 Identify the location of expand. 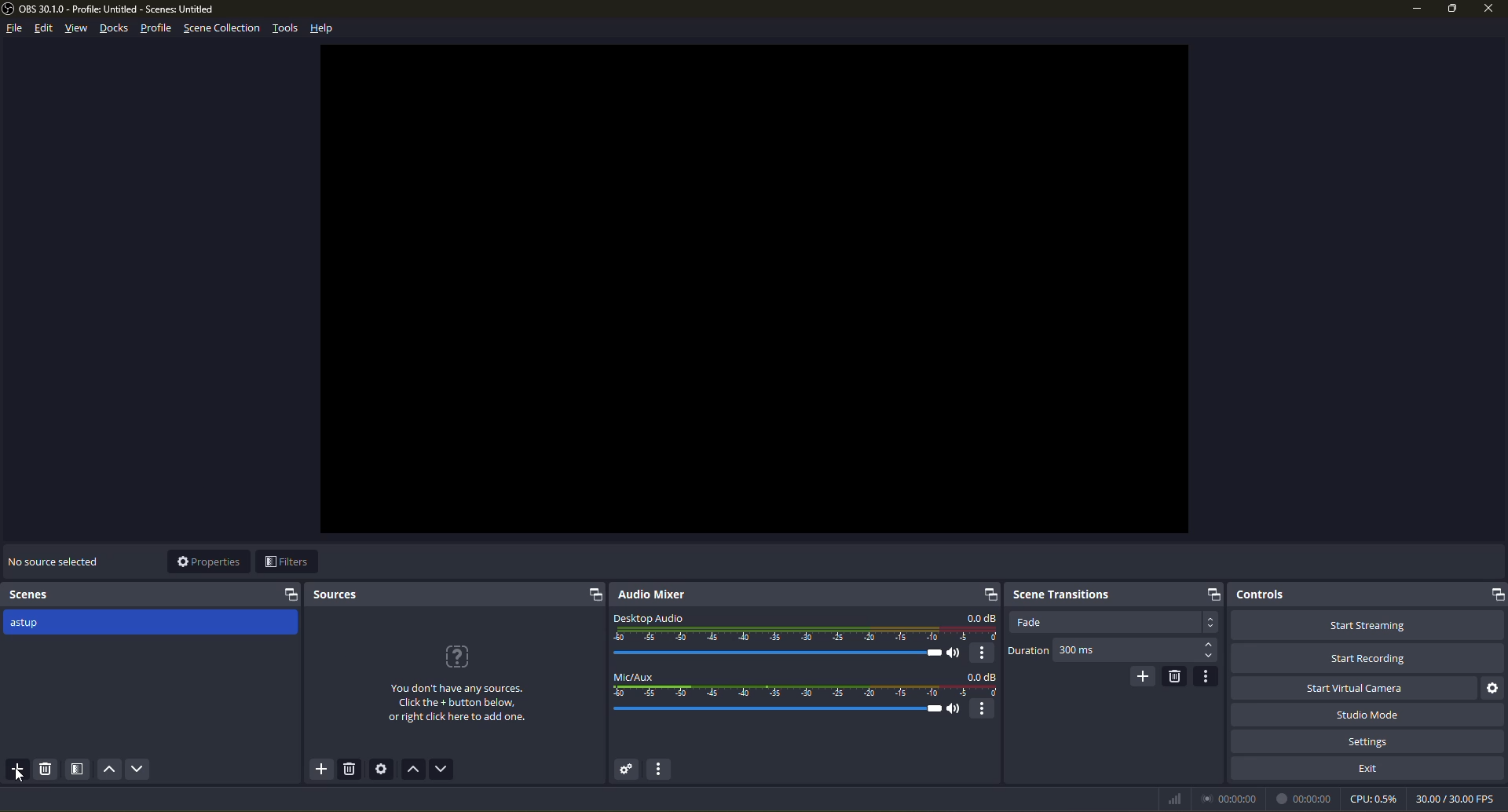
(990, 594).